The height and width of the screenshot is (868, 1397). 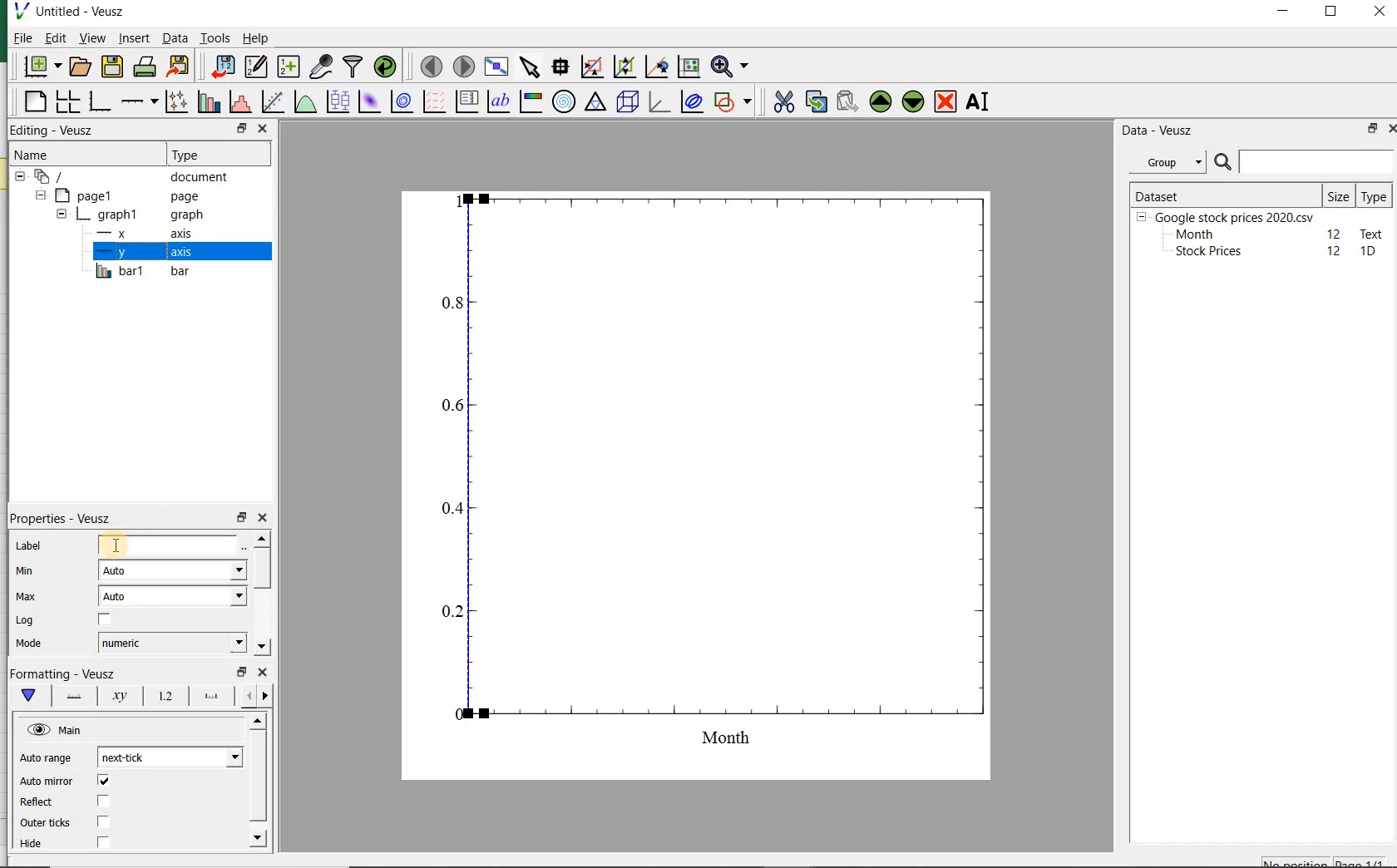 I want to click on move the selected widget down, so click(x=913, y=101).